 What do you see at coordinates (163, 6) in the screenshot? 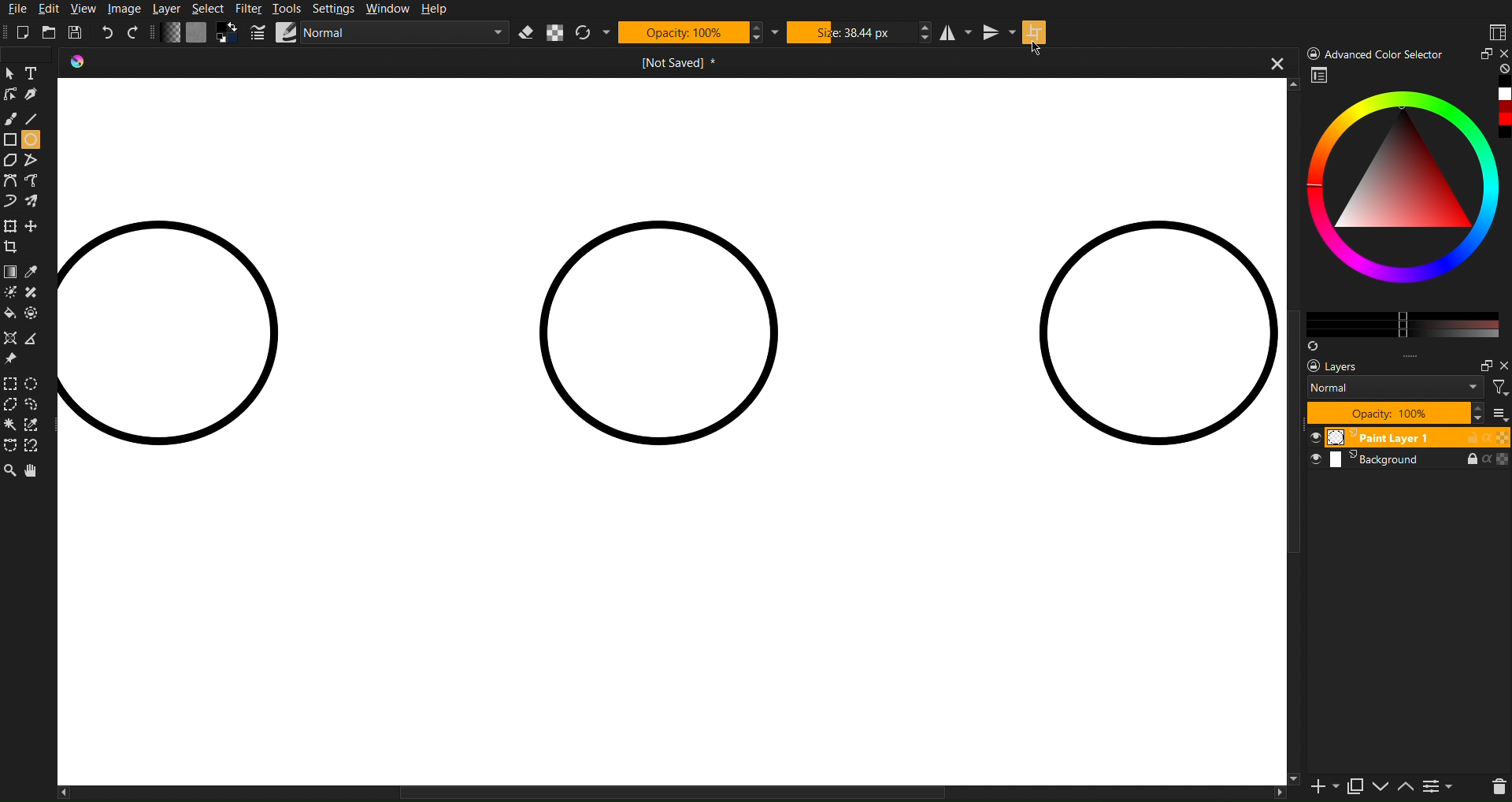
I see `Layer` at bounding box center [163, 6].